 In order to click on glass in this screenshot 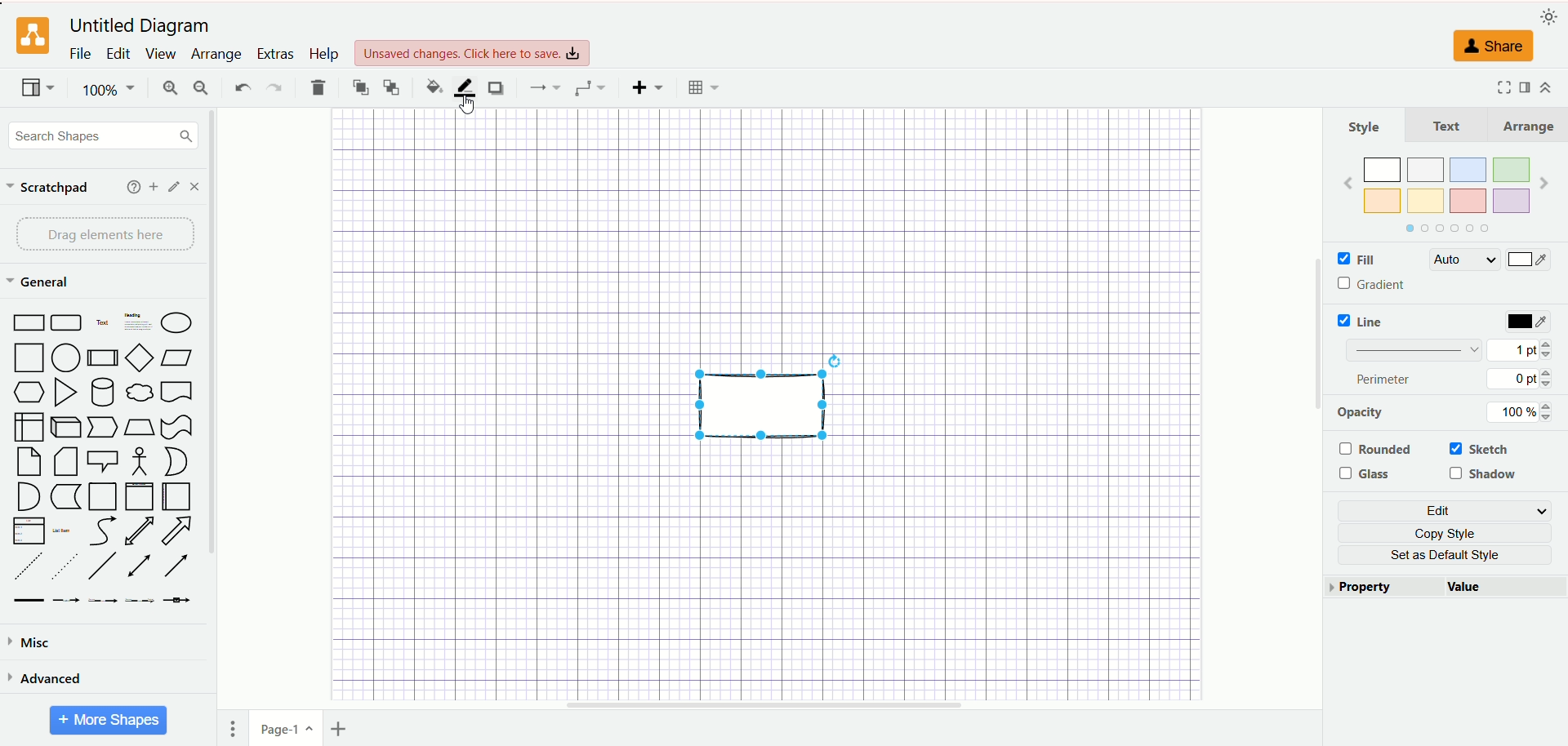, I will do `click(1363, 473)`.